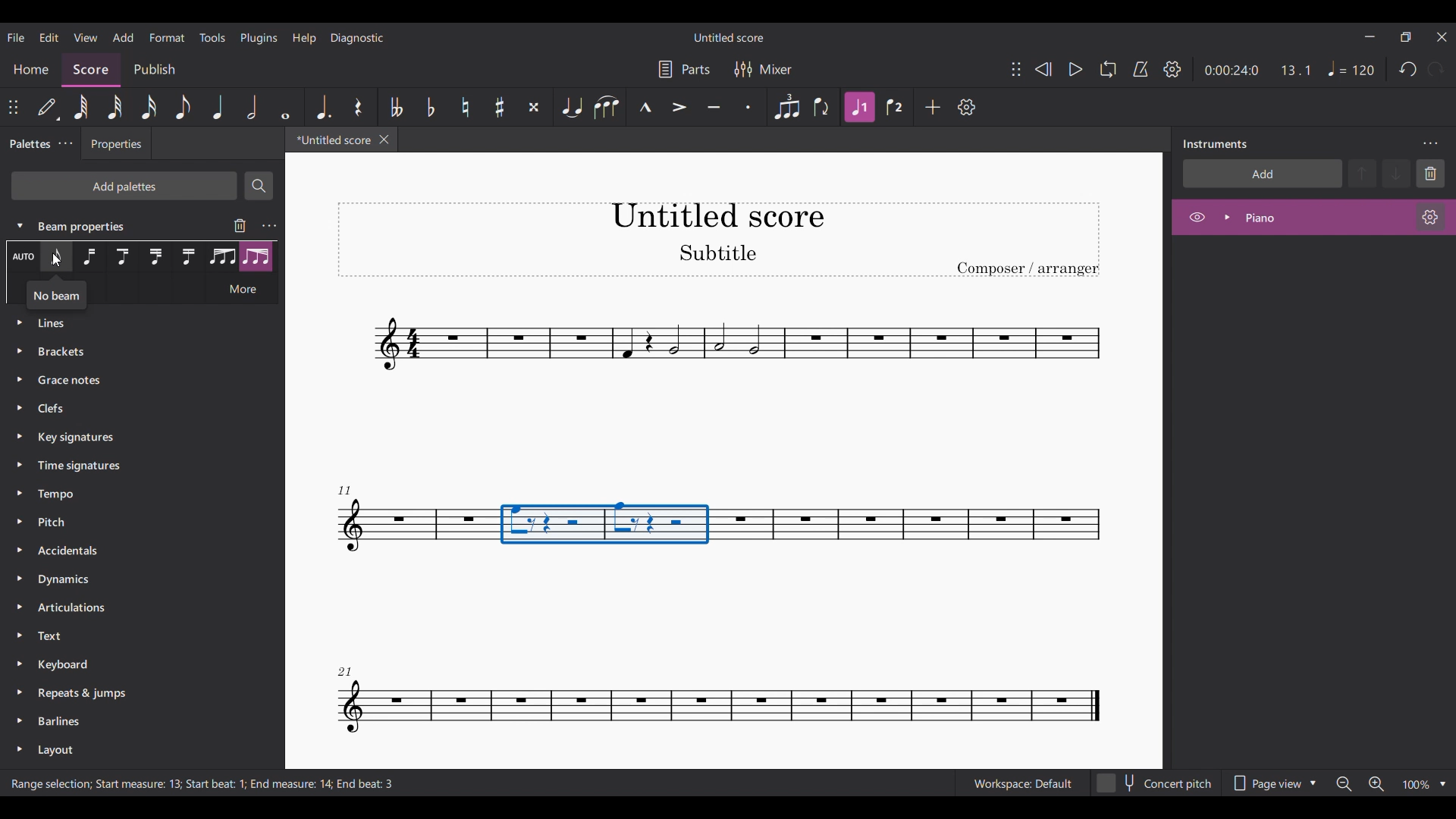 The image size is (1456, 819). I want to click on Default, so click(49, 107).